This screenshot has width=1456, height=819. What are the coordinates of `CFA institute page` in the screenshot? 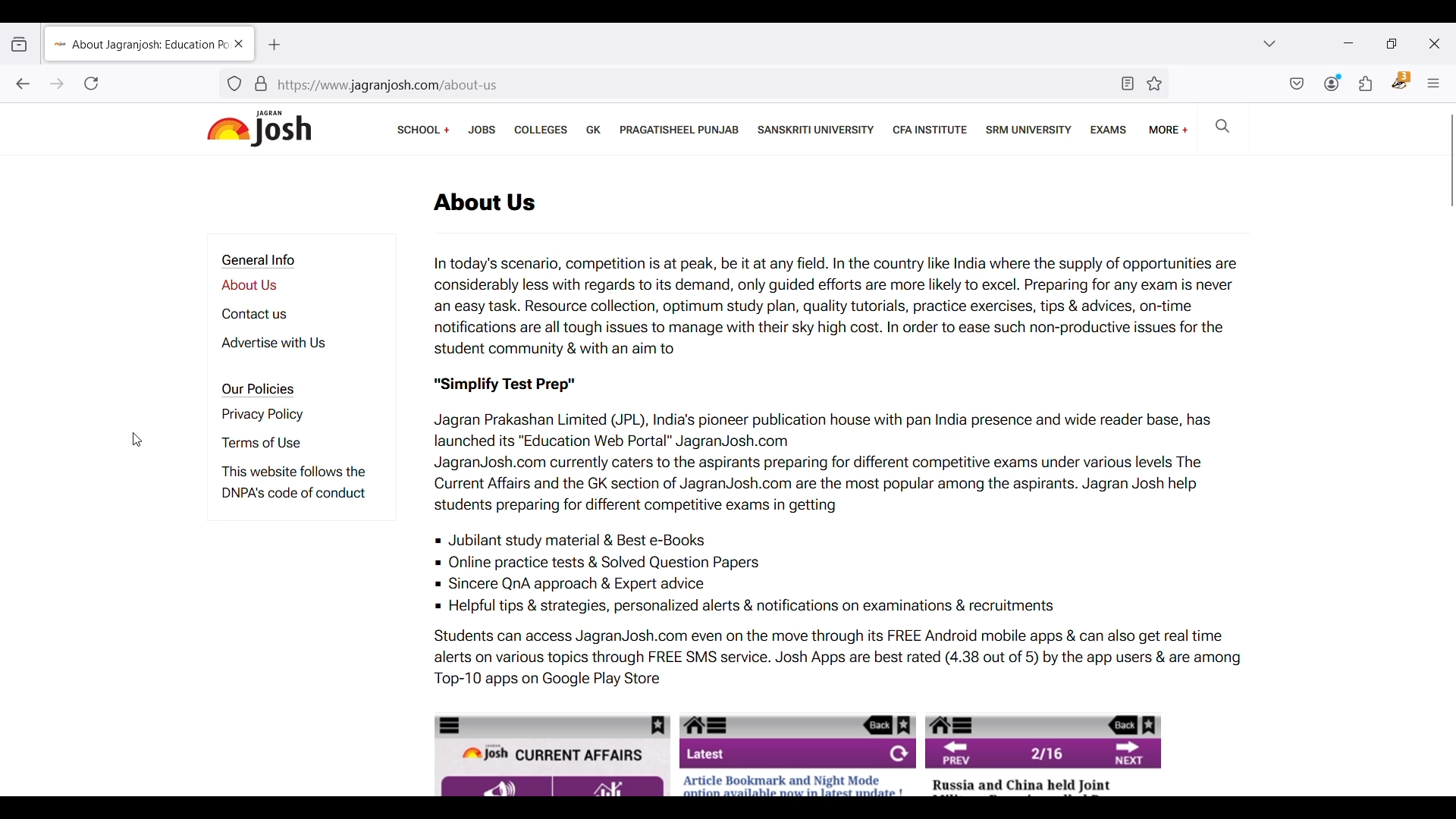 It's located at (932, 129).